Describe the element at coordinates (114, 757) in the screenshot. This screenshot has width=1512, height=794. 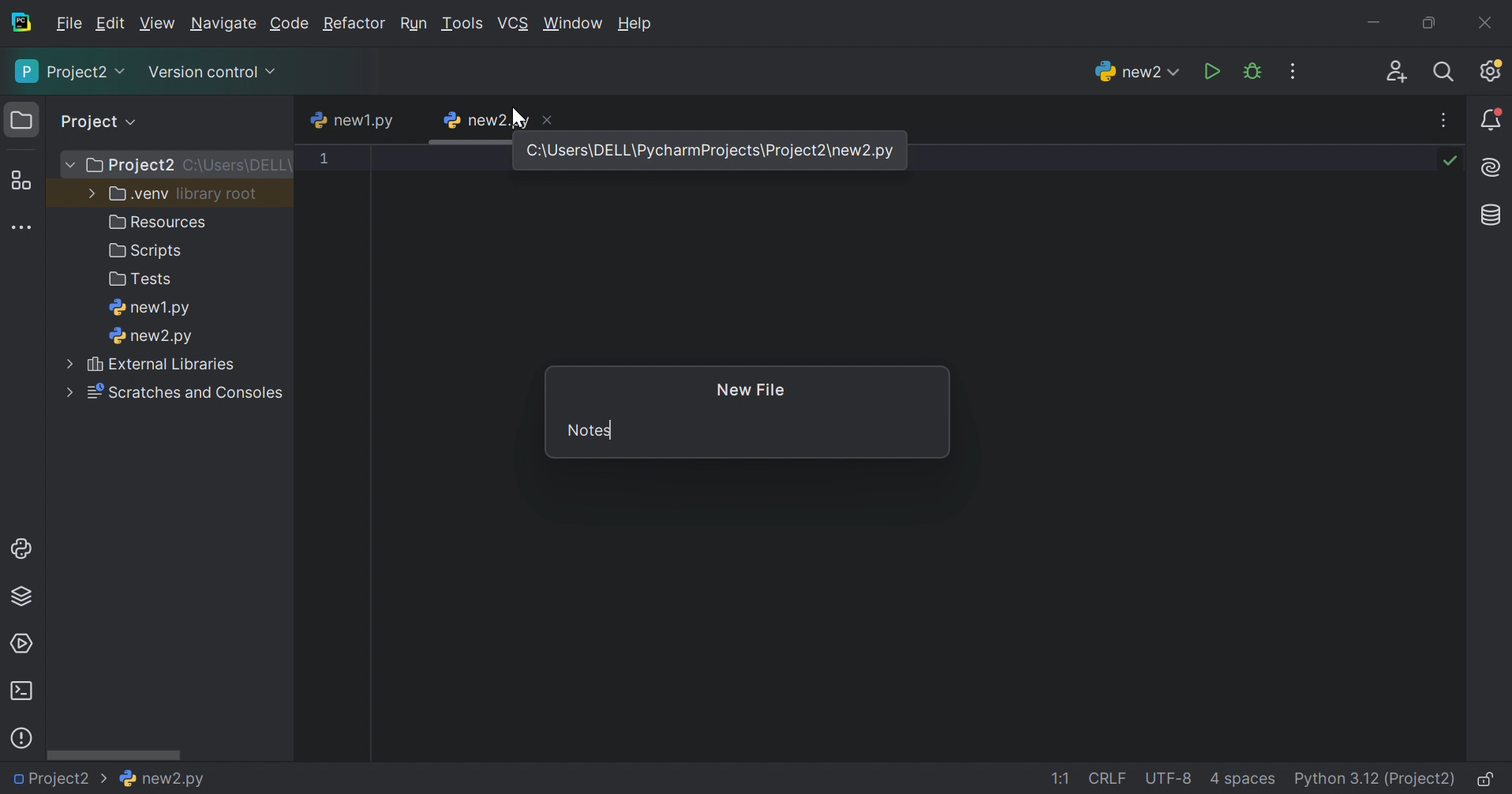
I see `Scroll bar` at that location.